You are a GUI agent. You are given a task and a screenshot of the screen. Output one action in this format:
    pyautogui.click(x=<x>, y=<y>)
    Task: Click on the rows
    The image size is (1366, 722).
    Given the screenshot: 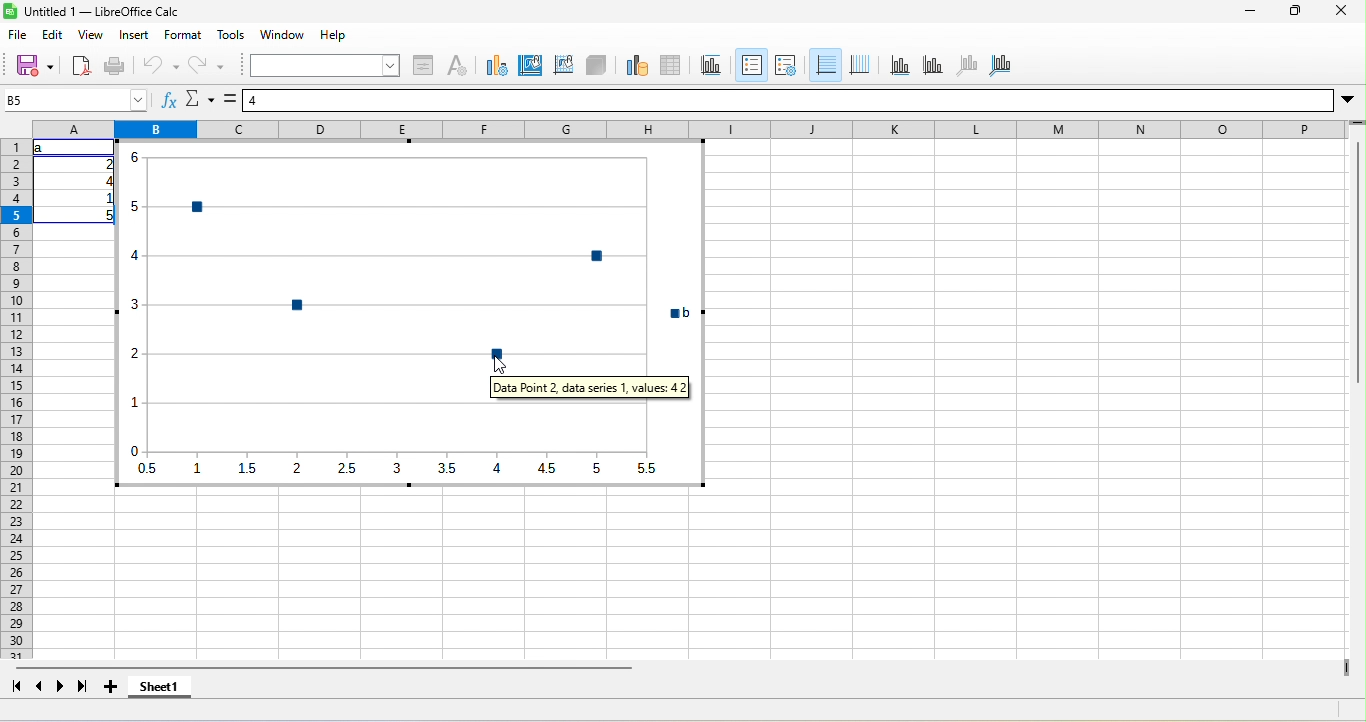 What is the action you would take?
    pyautogui.click(x=16, y=399)
    